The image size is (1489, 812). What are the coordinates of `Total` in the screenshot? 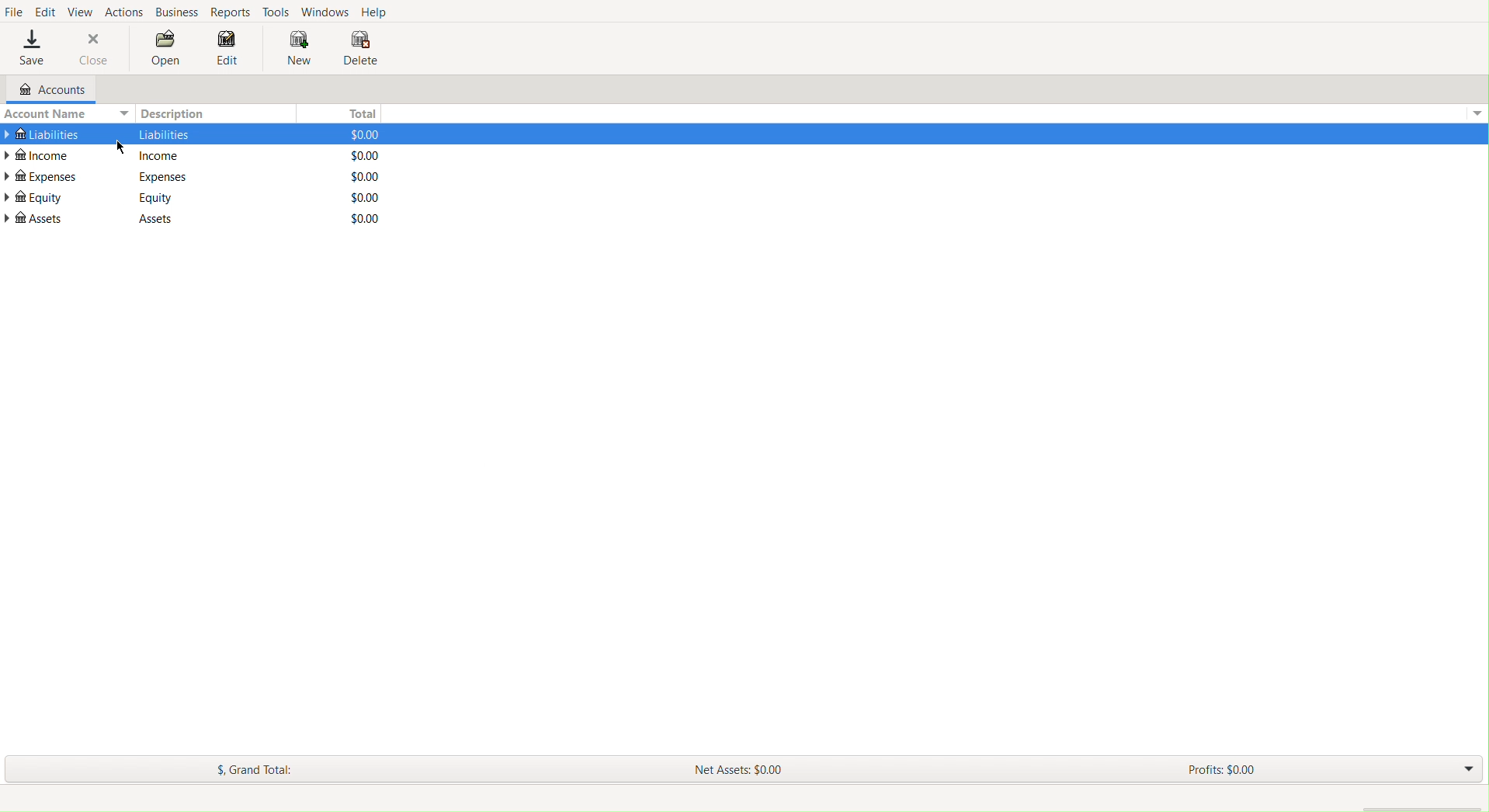 It's located at (359, 111).